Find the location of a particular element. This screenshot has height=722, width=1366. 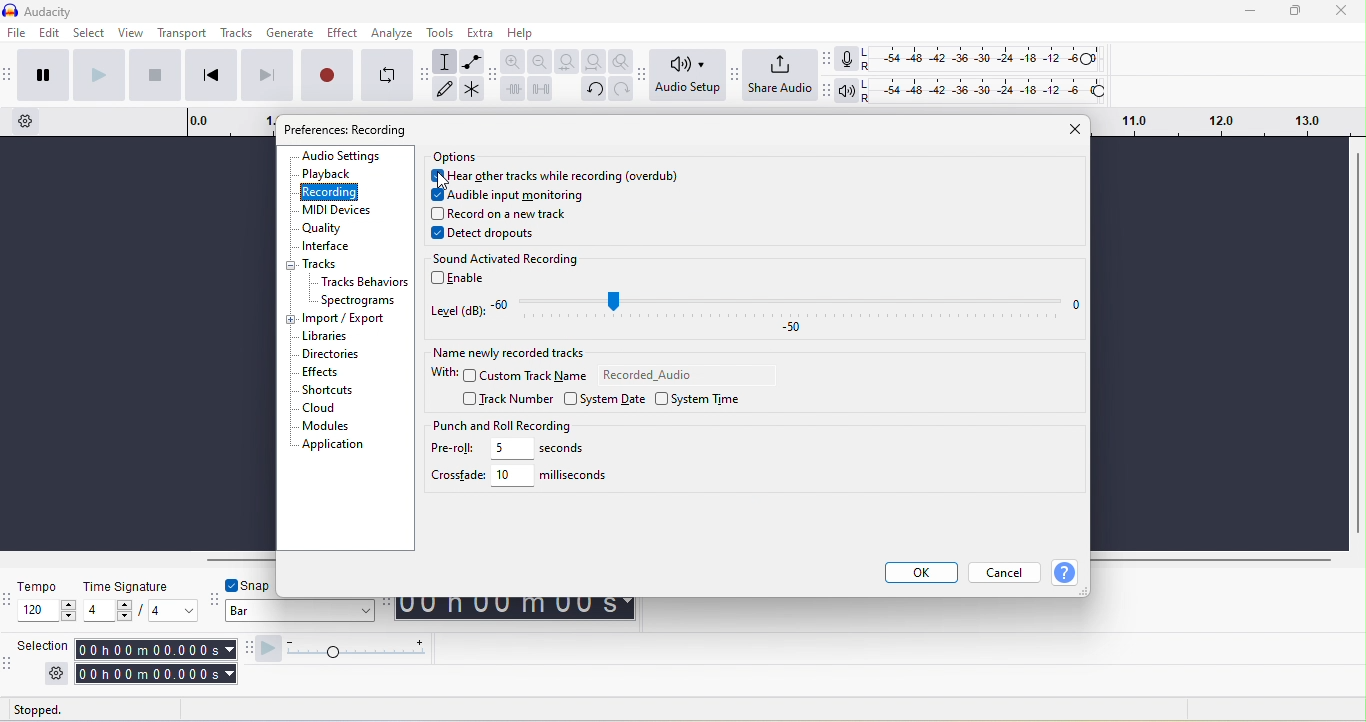

fit selection to width is located at coordinates (566, 61).